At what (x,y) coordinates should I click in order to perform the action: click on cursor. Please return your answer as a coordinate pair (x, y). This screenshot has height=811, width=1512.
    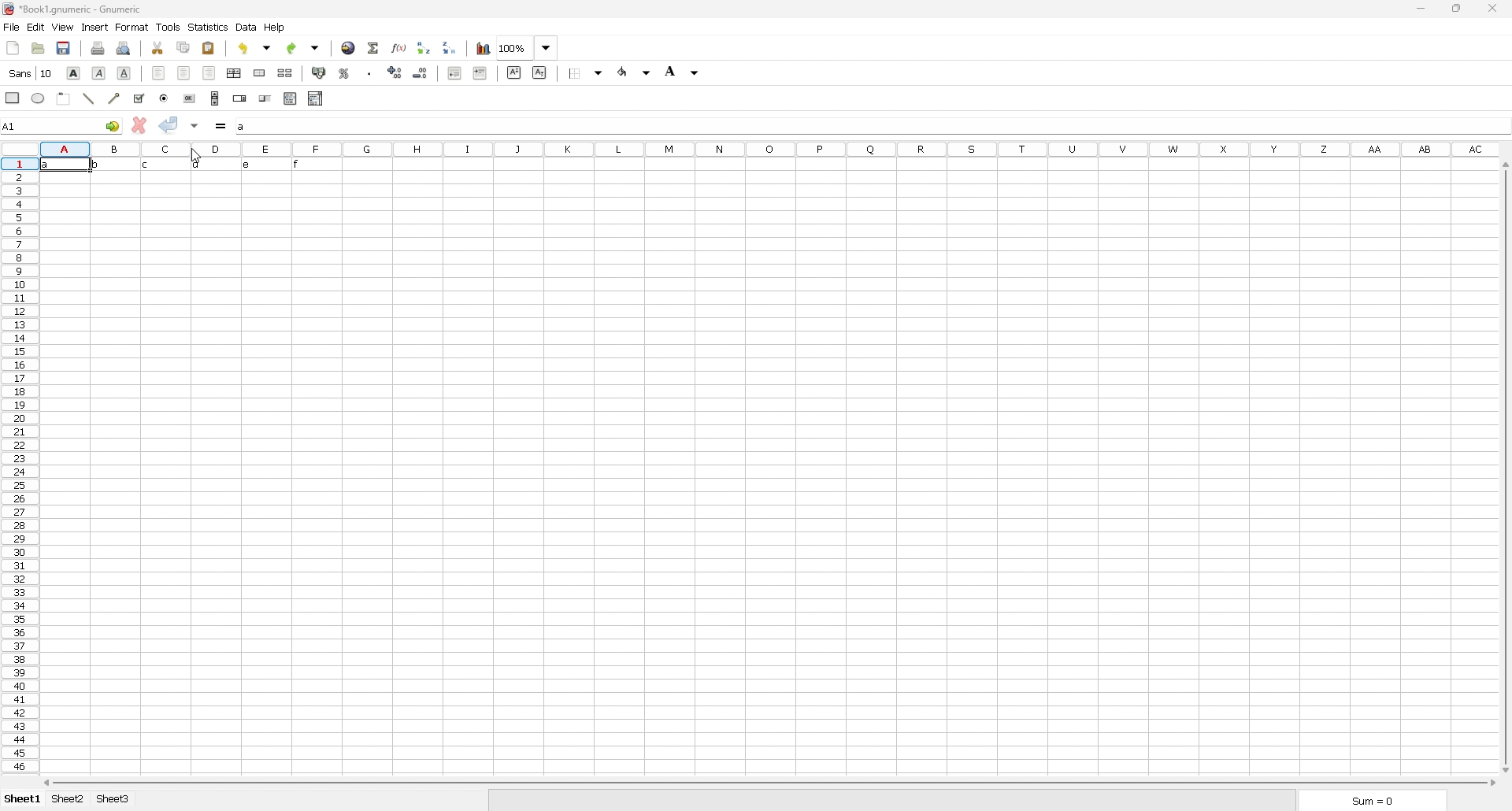
    Looking at the image, I should click on (192, 154).